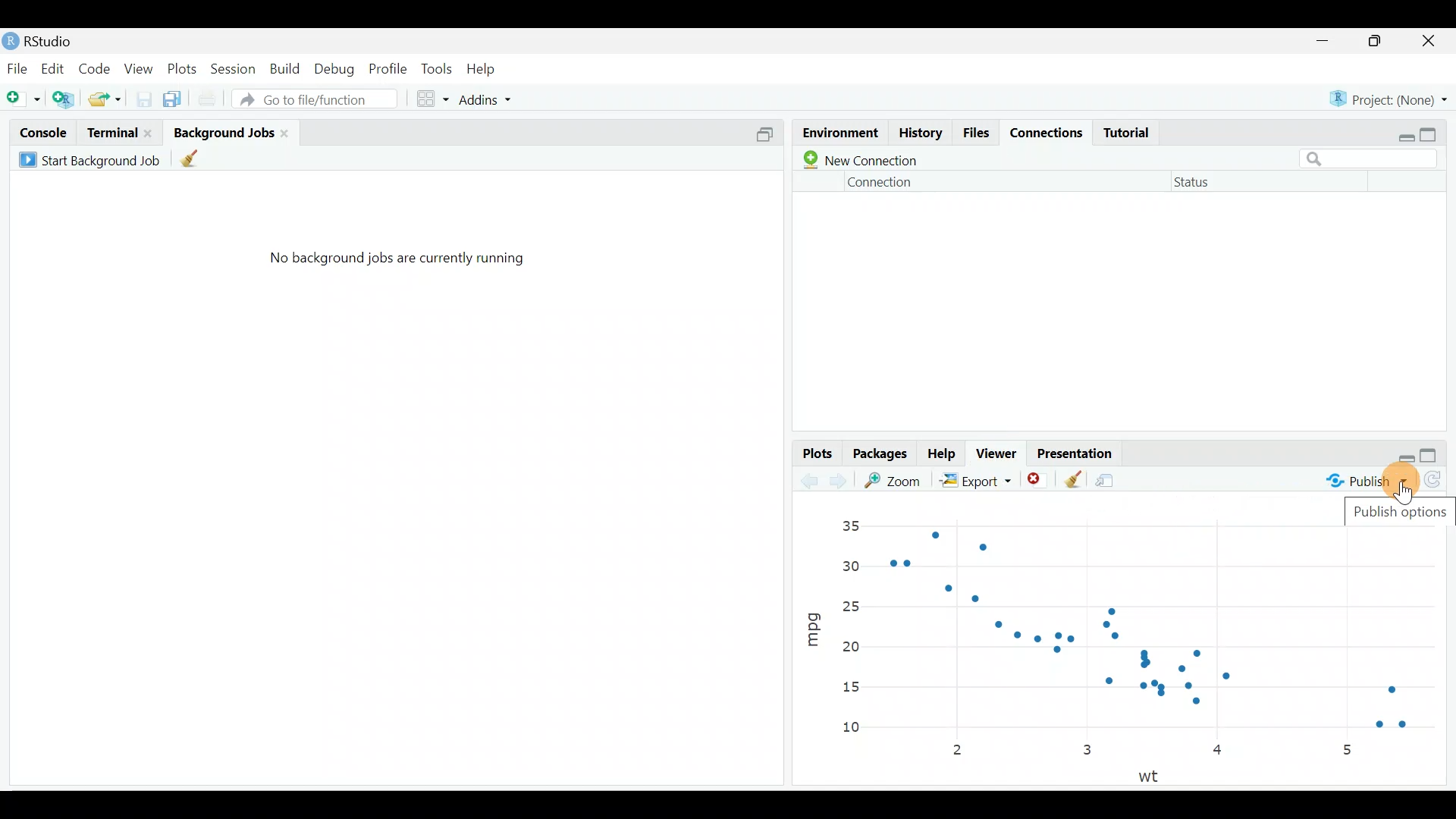 The width and height of the screenshot is (1456, 819). What do you see at coordinates (1347, 749) in the screenshot?
I see `5` at bounding box center [1347, 749].